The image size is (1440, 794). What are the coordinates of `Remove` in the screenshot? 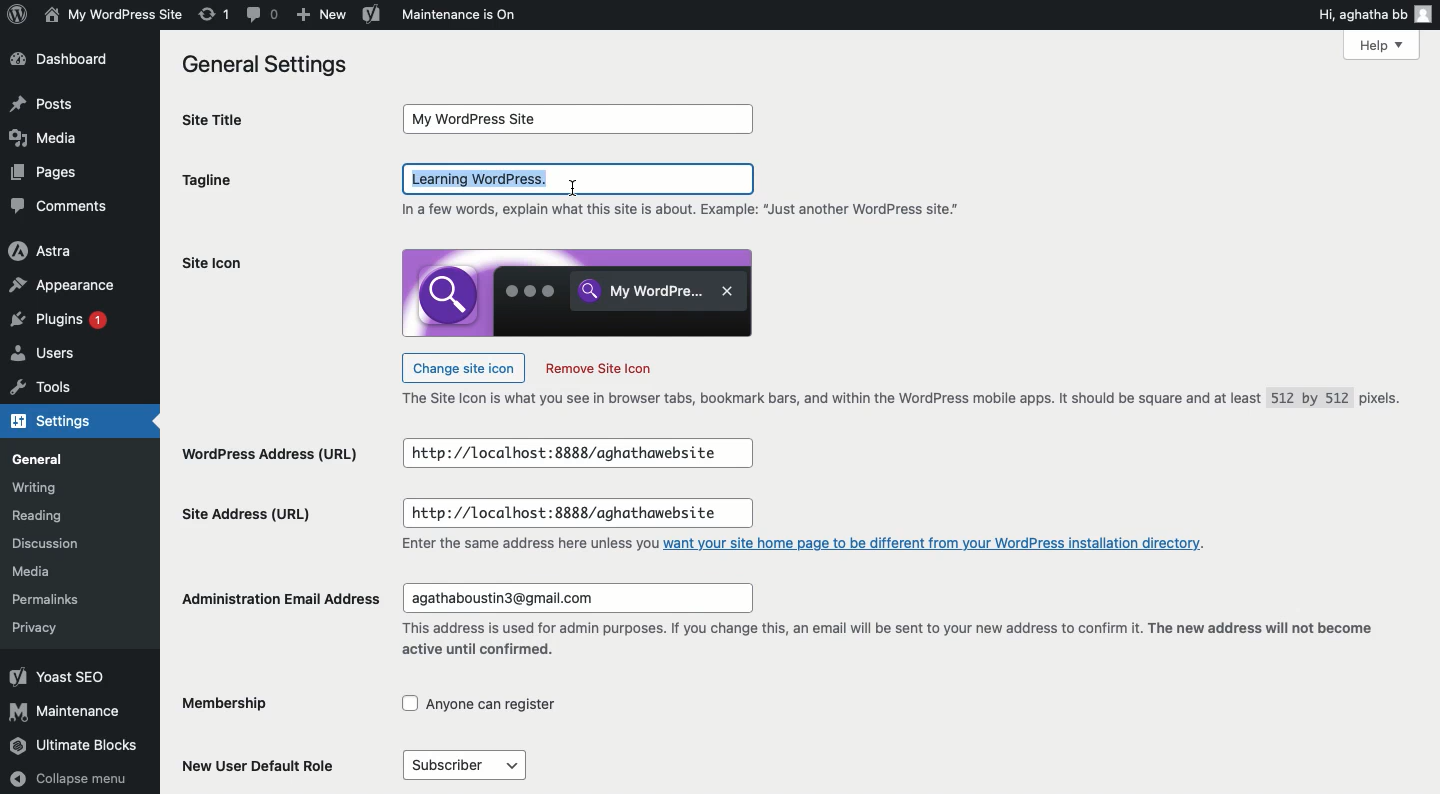 It's located at (598, 369).